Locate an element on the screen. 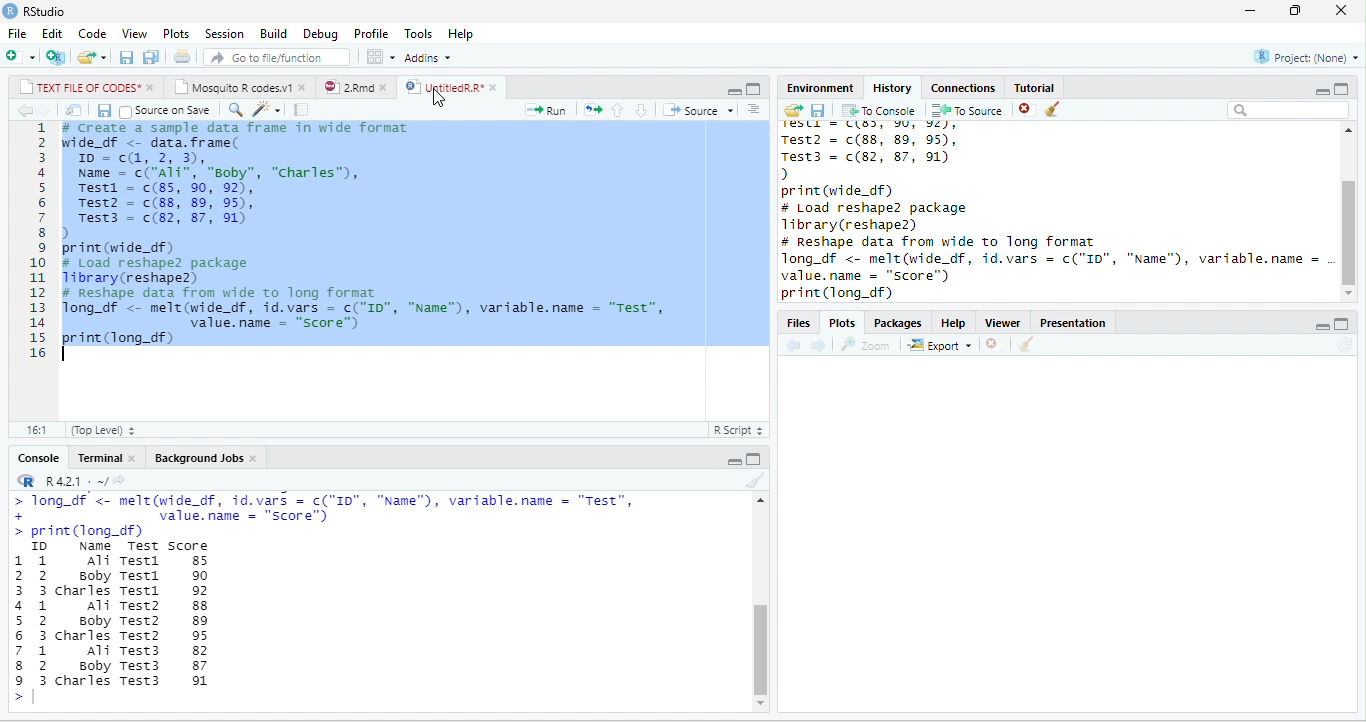 Image resolution: width=1366 pixels, height=722 pixels. Environment is located at coordinates (819, 88).